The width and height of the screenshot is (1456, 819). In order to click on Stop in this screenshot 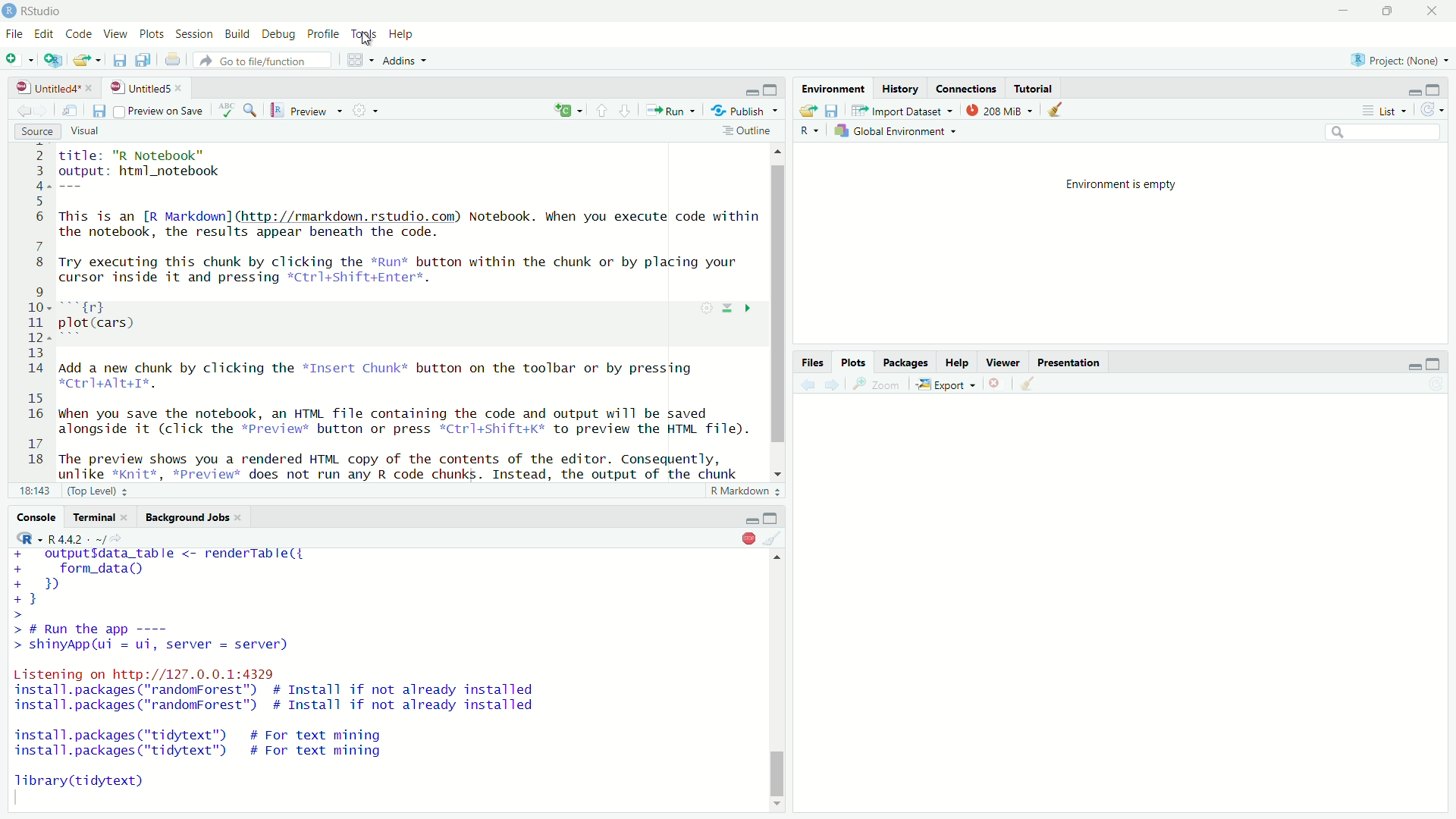, I will do `click(748, 538)`.